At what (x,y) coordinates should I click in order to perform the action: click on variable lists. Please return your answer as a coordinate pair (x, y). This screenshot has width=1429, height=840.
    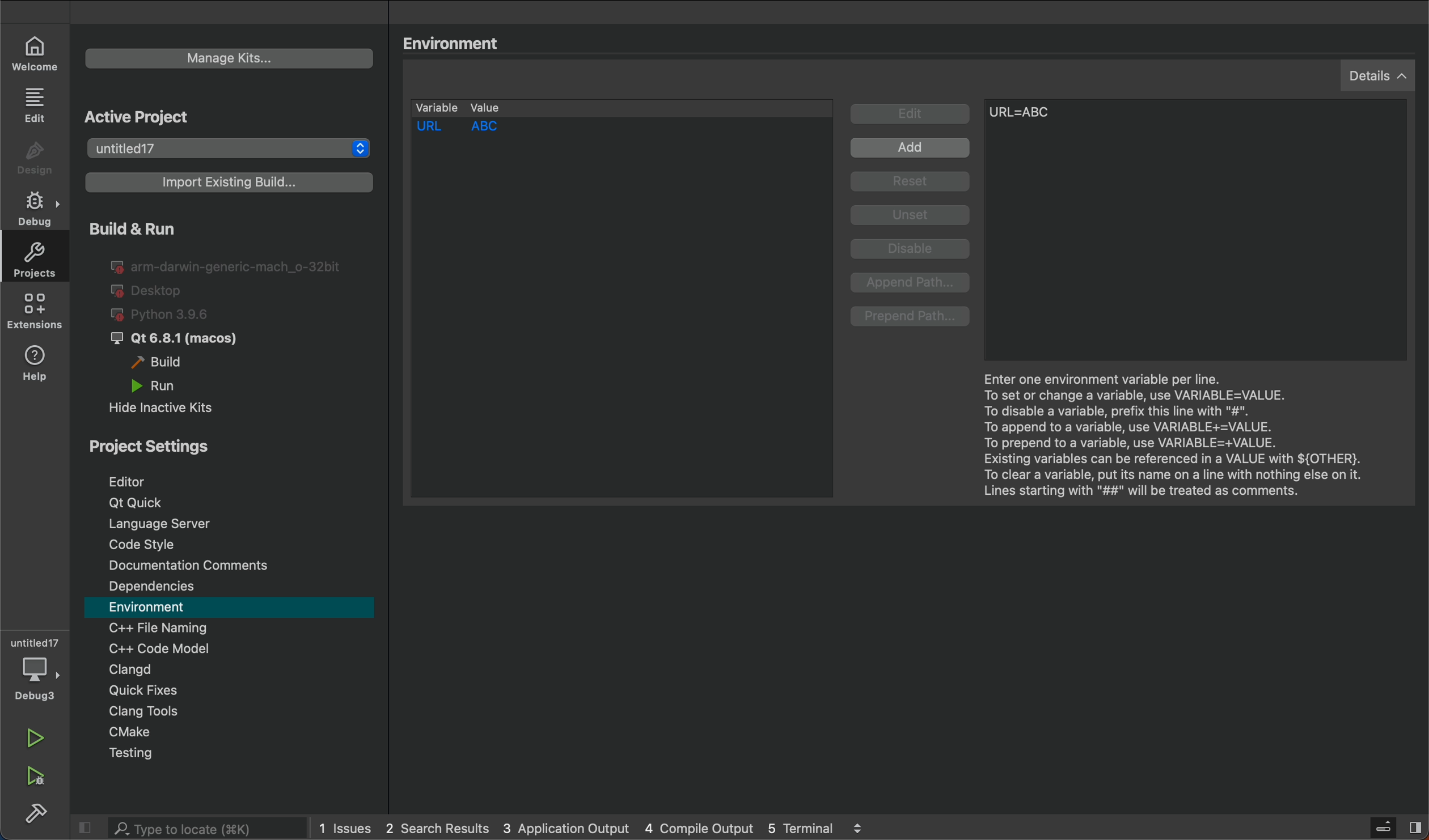
    Looking at the image, I should click on (622, 105).